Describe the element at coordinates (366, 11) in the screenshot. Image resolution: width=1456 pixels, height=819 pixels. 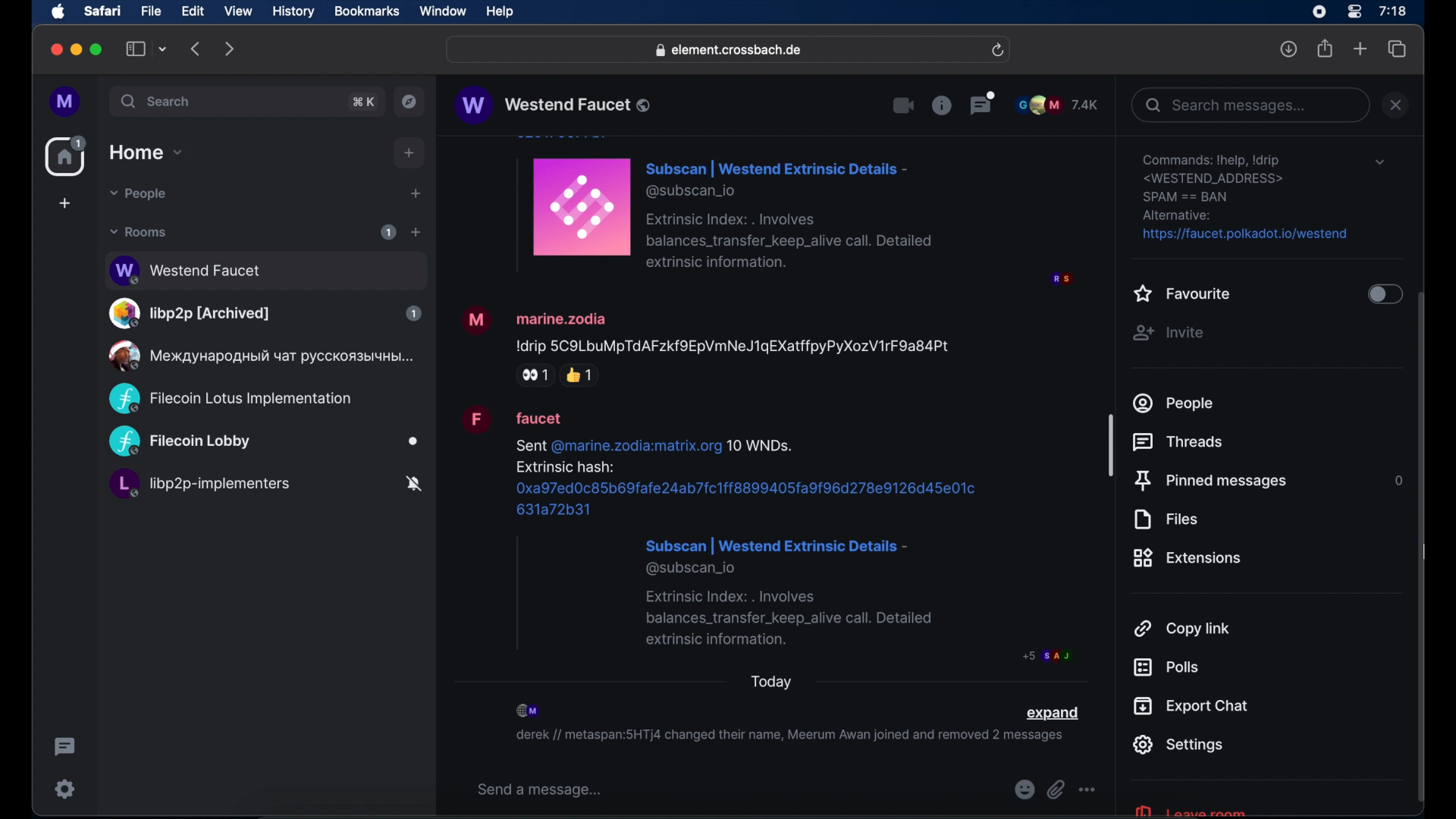
I see `bookmarks` at that location.